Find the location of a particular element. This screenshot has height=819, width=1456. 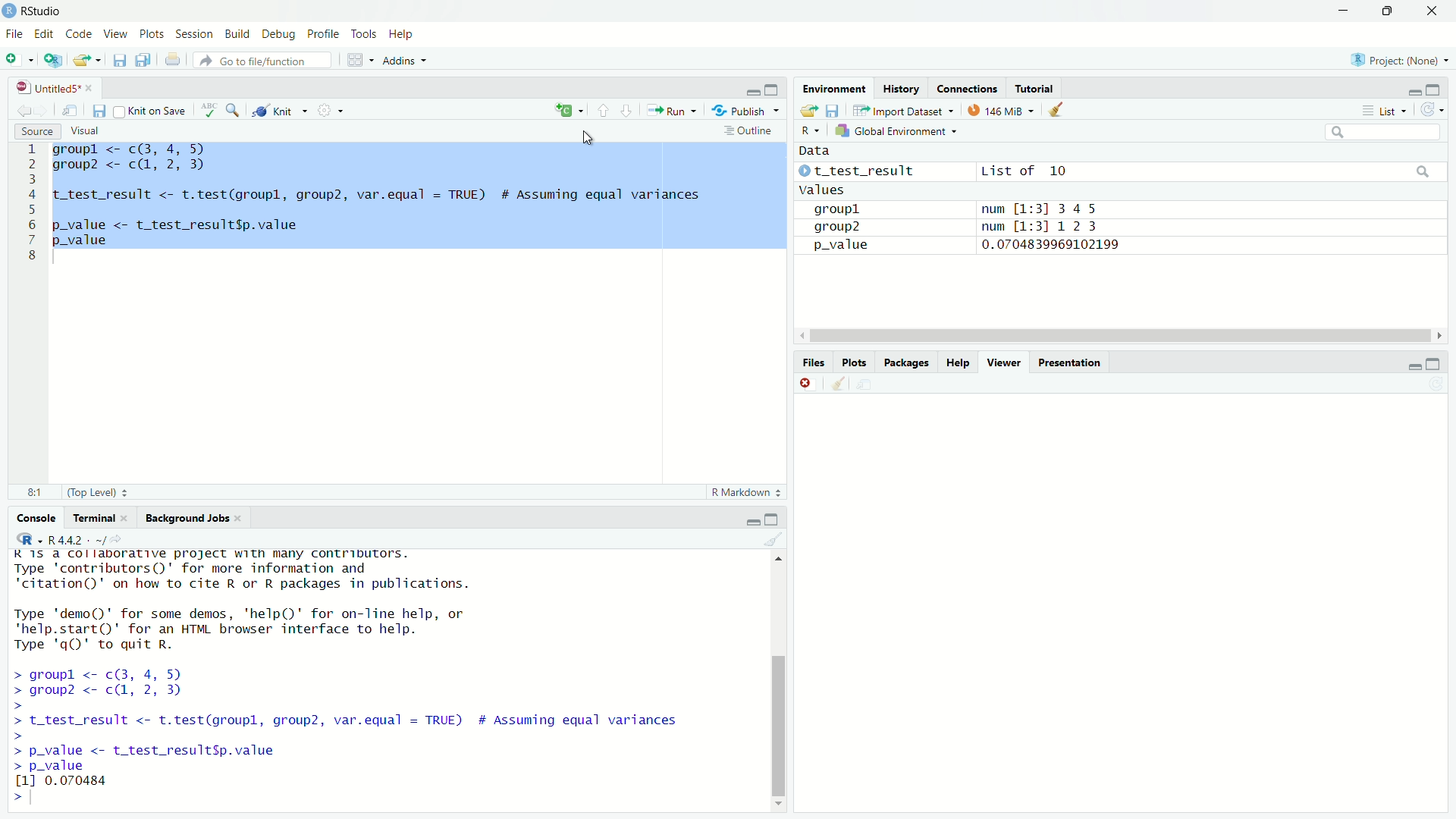

minimise is located at coordinates (754, 519).